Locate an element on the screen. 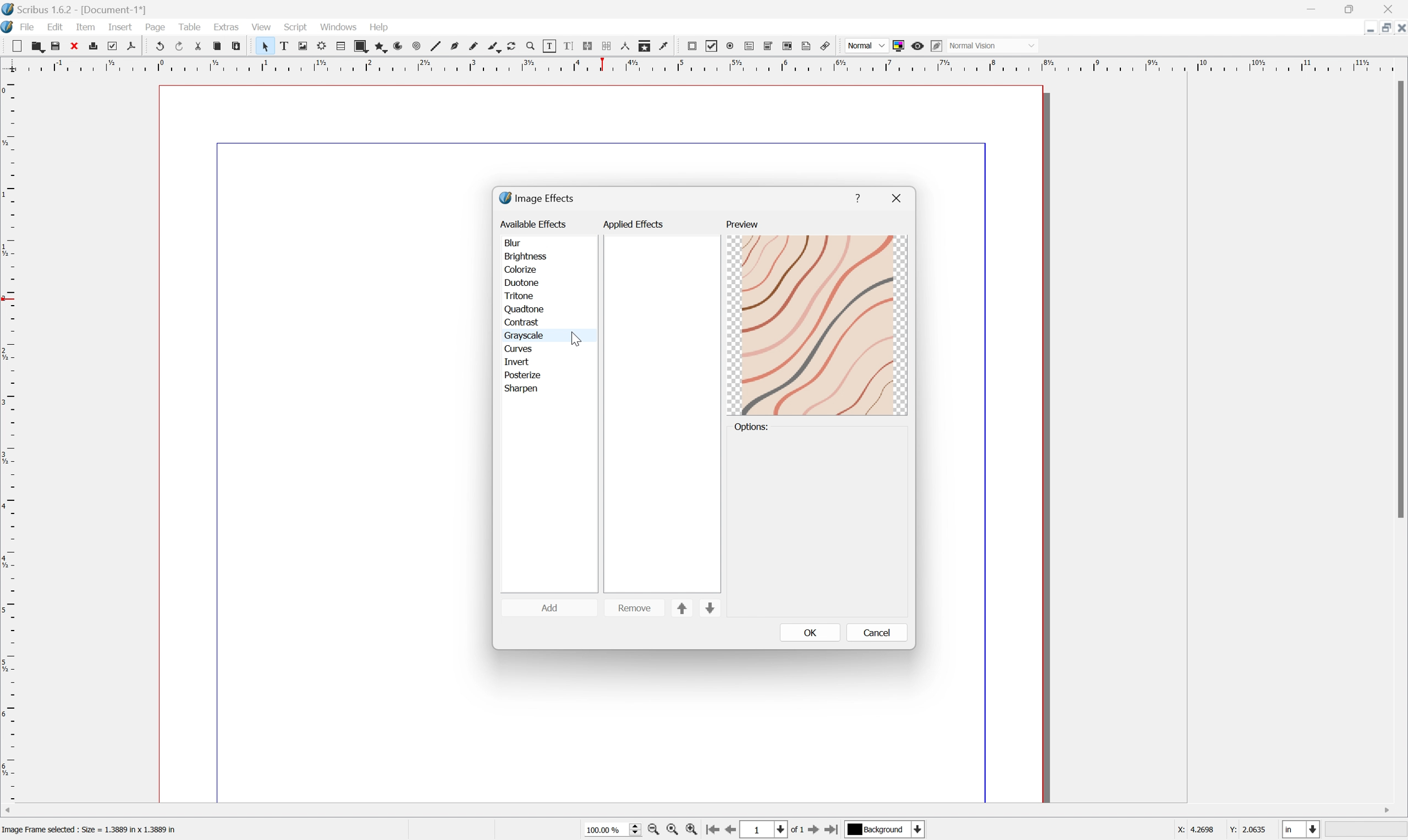 The image size is (1408, 840). Save as PDF is located at coordinates (137, 46).